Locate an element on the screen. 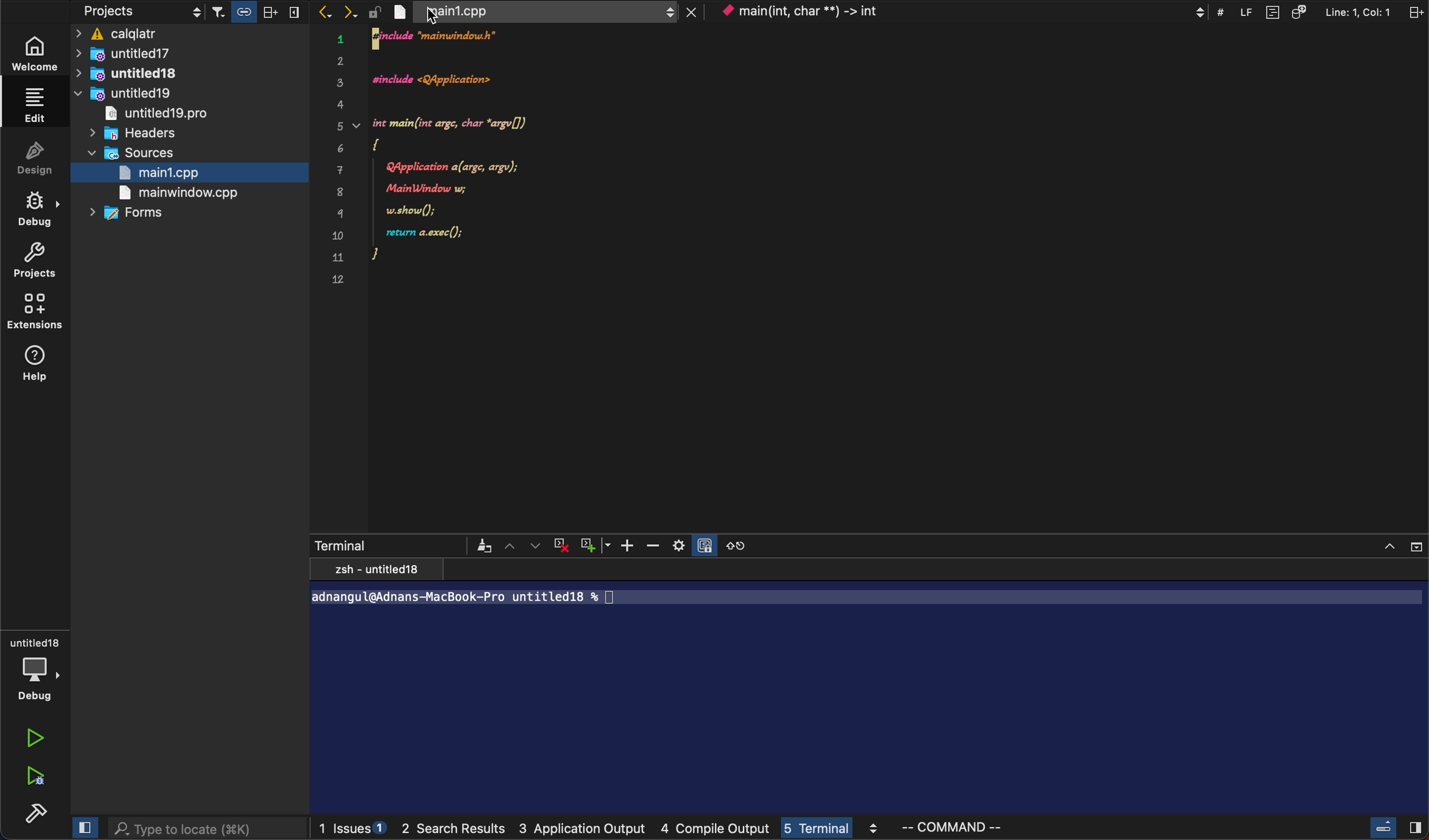  main1.cpp is located at coordinates (184, 173).